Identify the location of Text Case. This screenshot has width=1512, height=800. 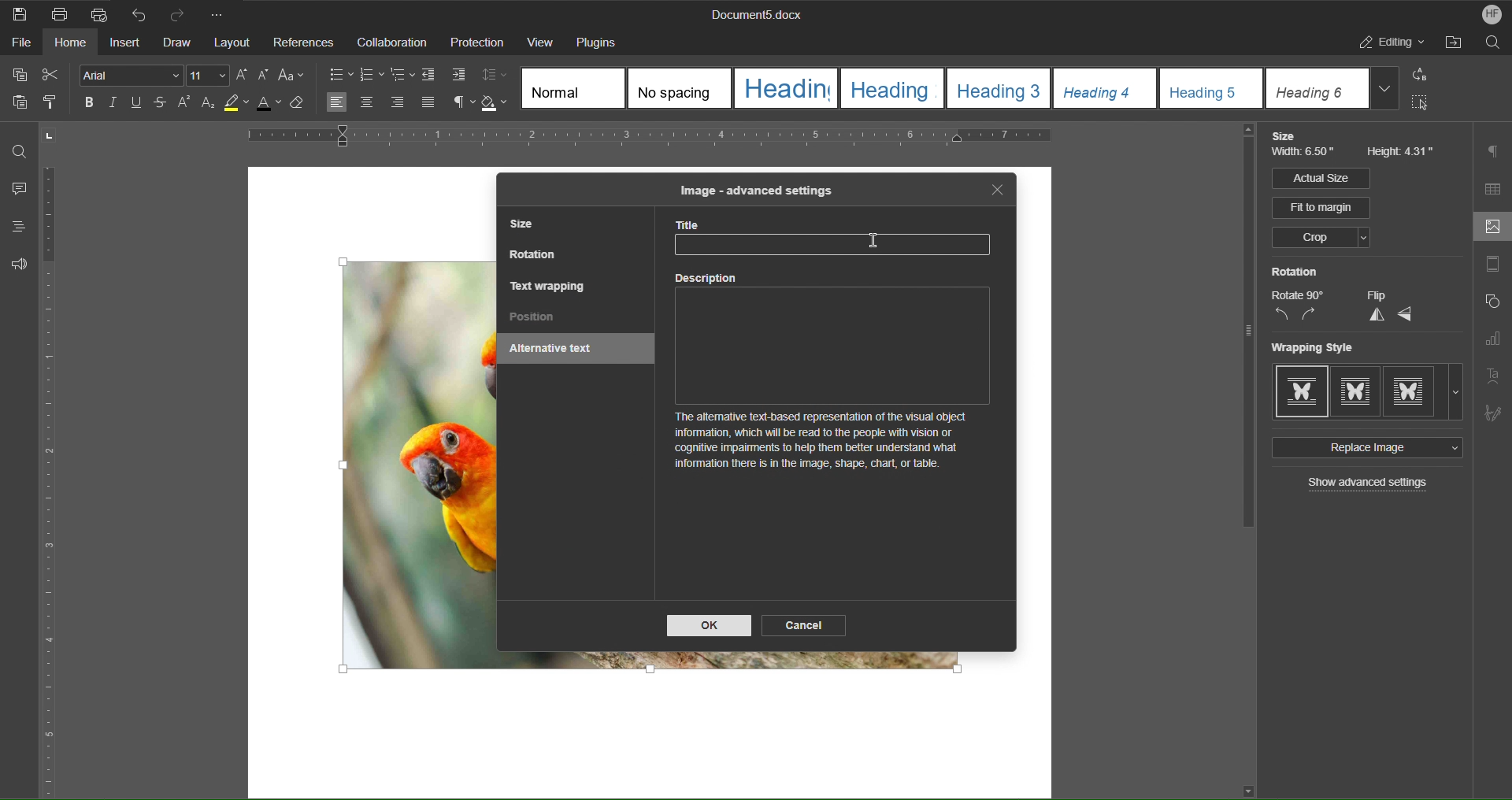
(294, 76).